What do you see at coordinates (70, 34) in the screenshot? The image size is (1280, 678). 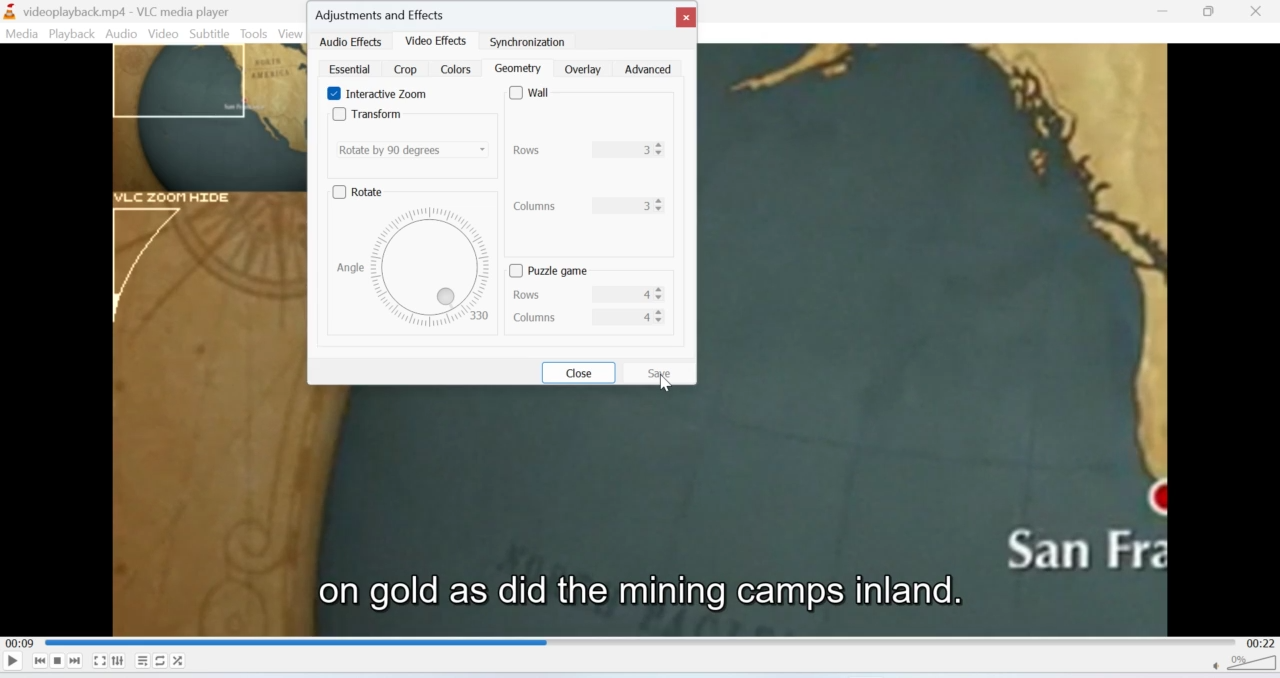 I see `Playback` at bounding box center [70, 34].